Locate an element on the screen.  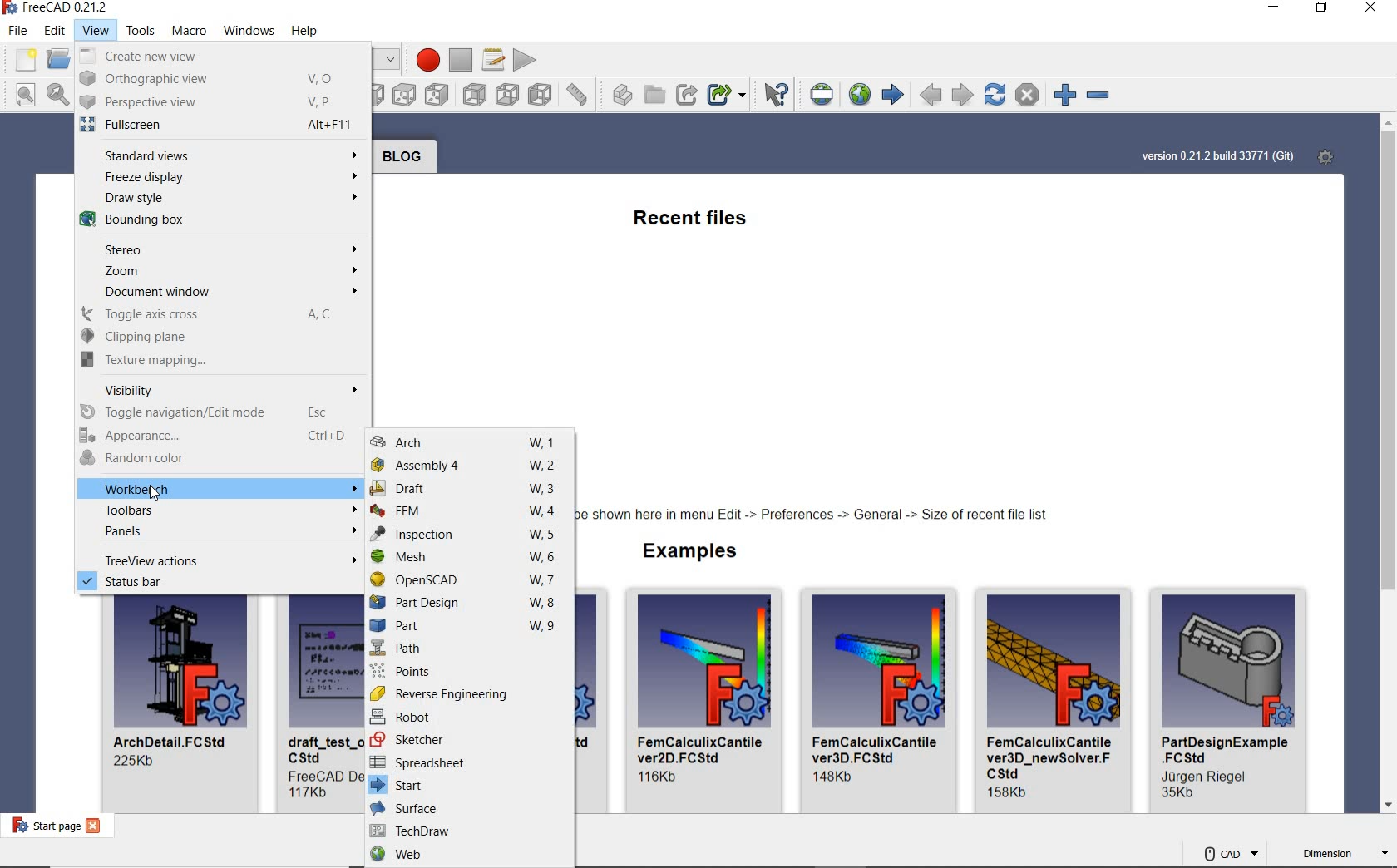
perspective view is located at coordinates (220, 104).